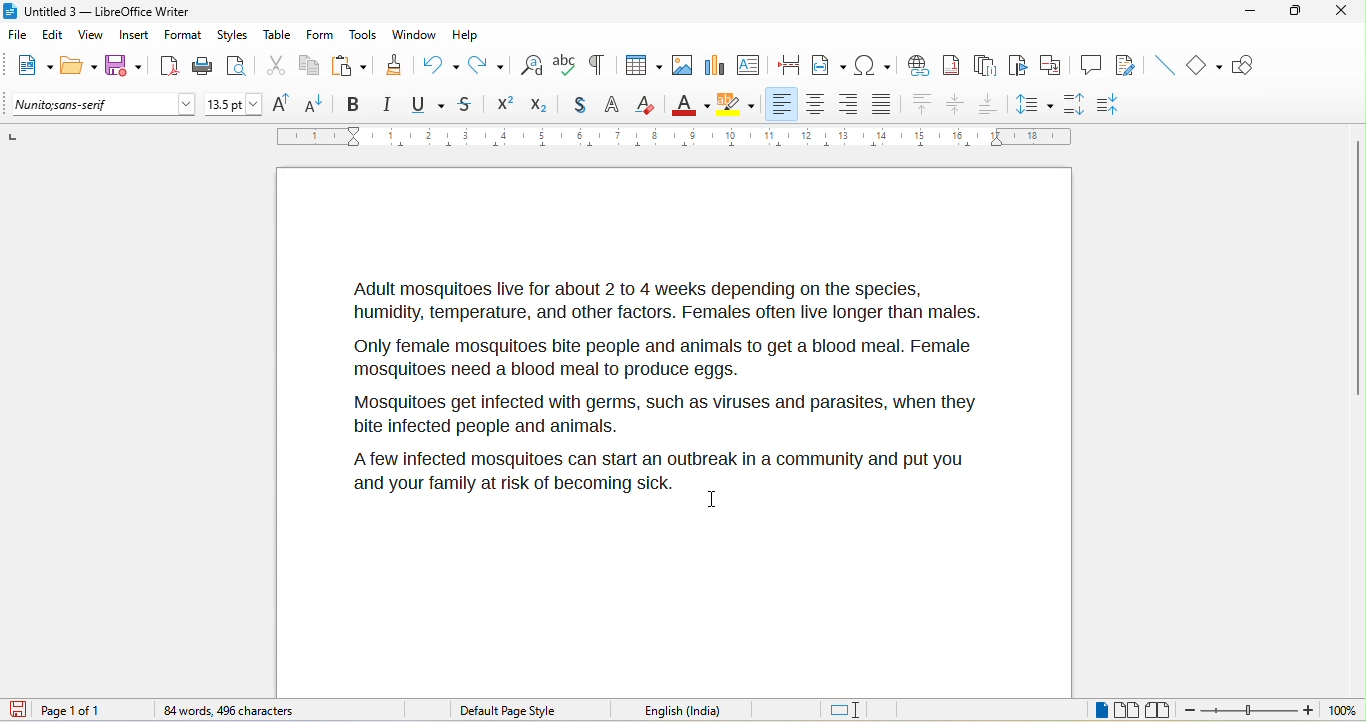  Describe the element at coordinates (748, 64) in the screenshot. I see `text box` at that location.